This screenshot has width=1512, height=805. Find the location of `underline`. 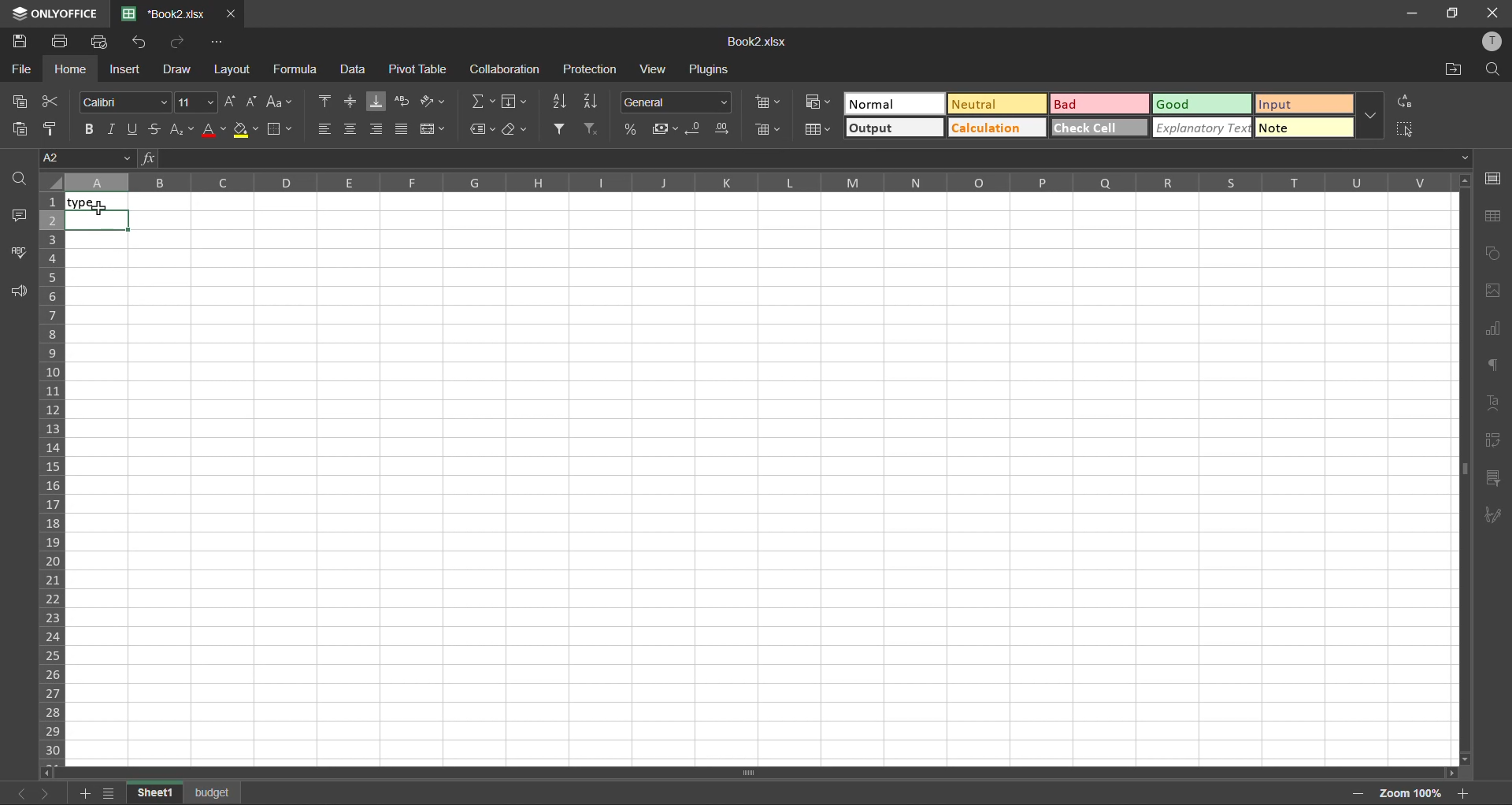

underline is located at coordinates (135, 128).